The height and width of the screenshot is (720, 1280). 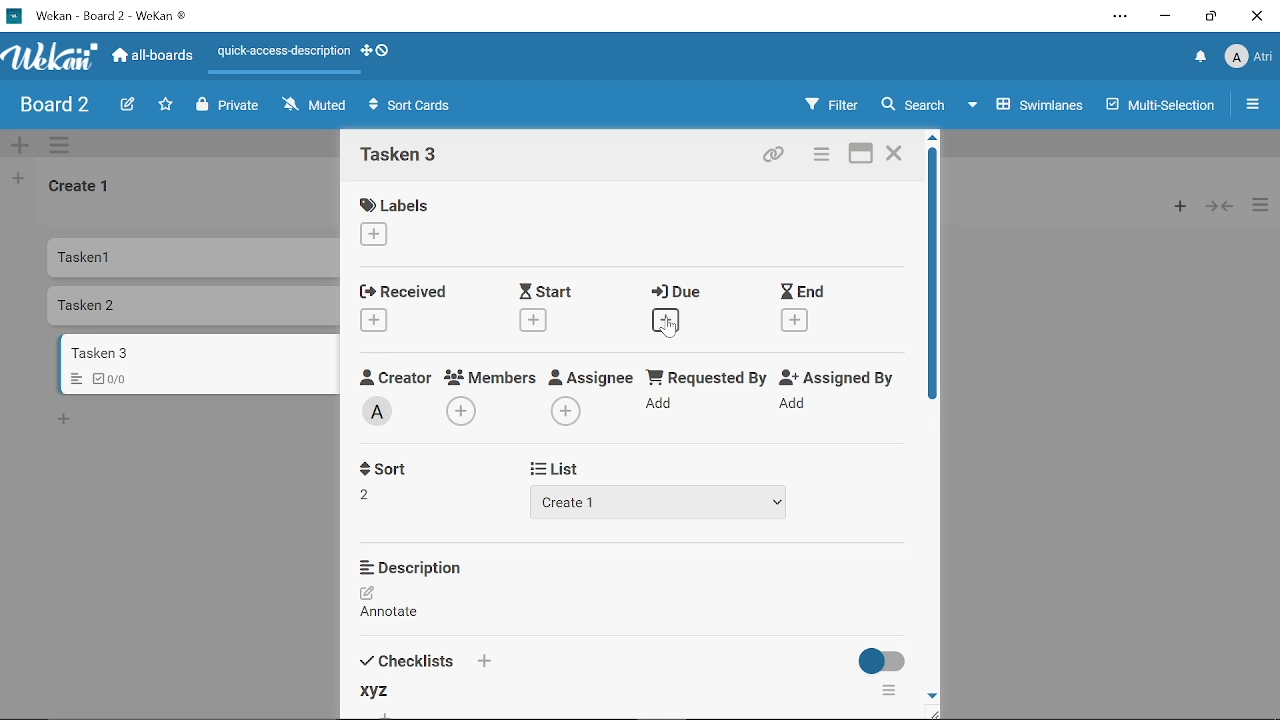 What do you see at coordinates (534, 319) in the screenshot?
I see `Add start date` at bounding box center [534, 319].